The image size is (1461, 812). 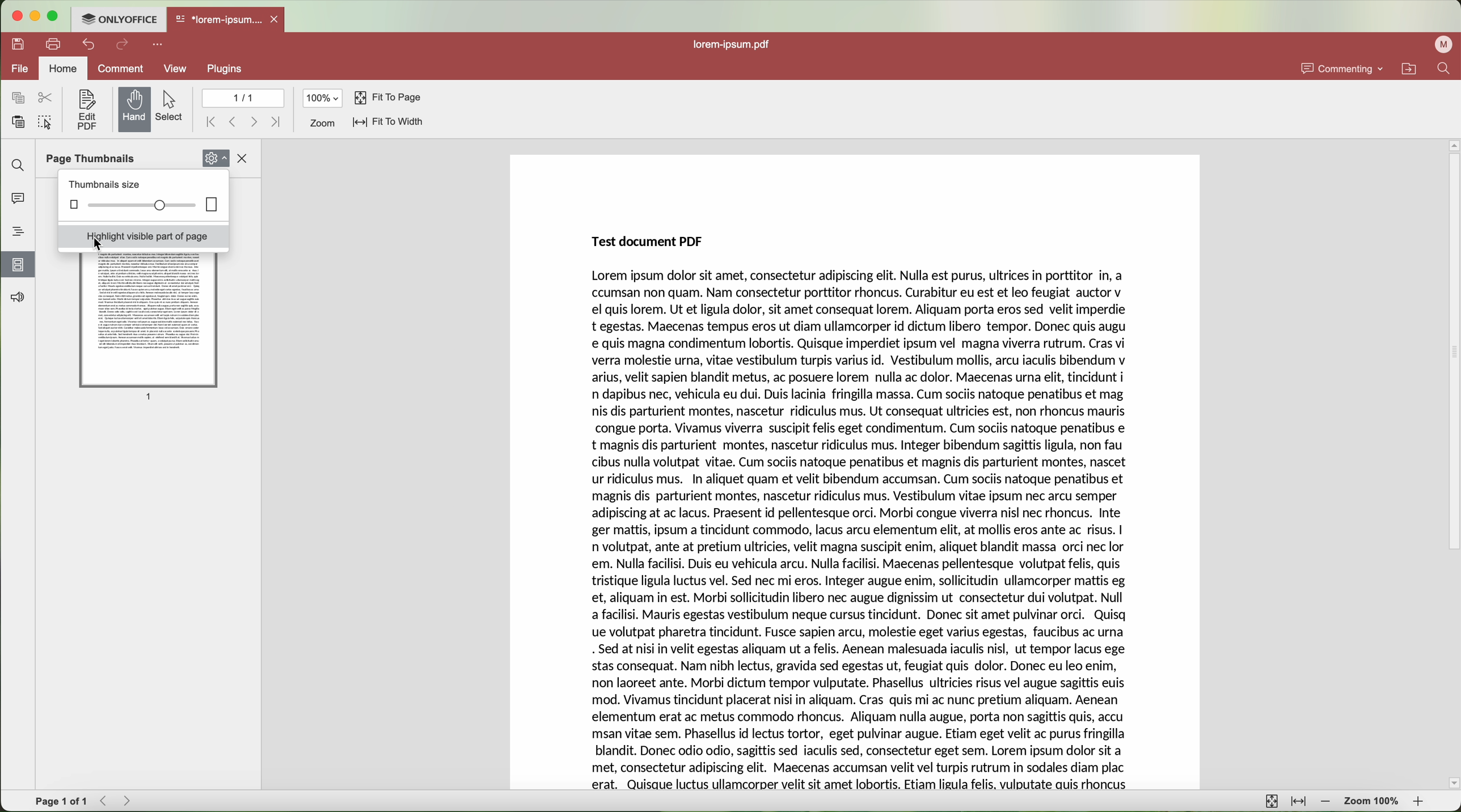 I want to click on Settings, so click(x=216, y=156).